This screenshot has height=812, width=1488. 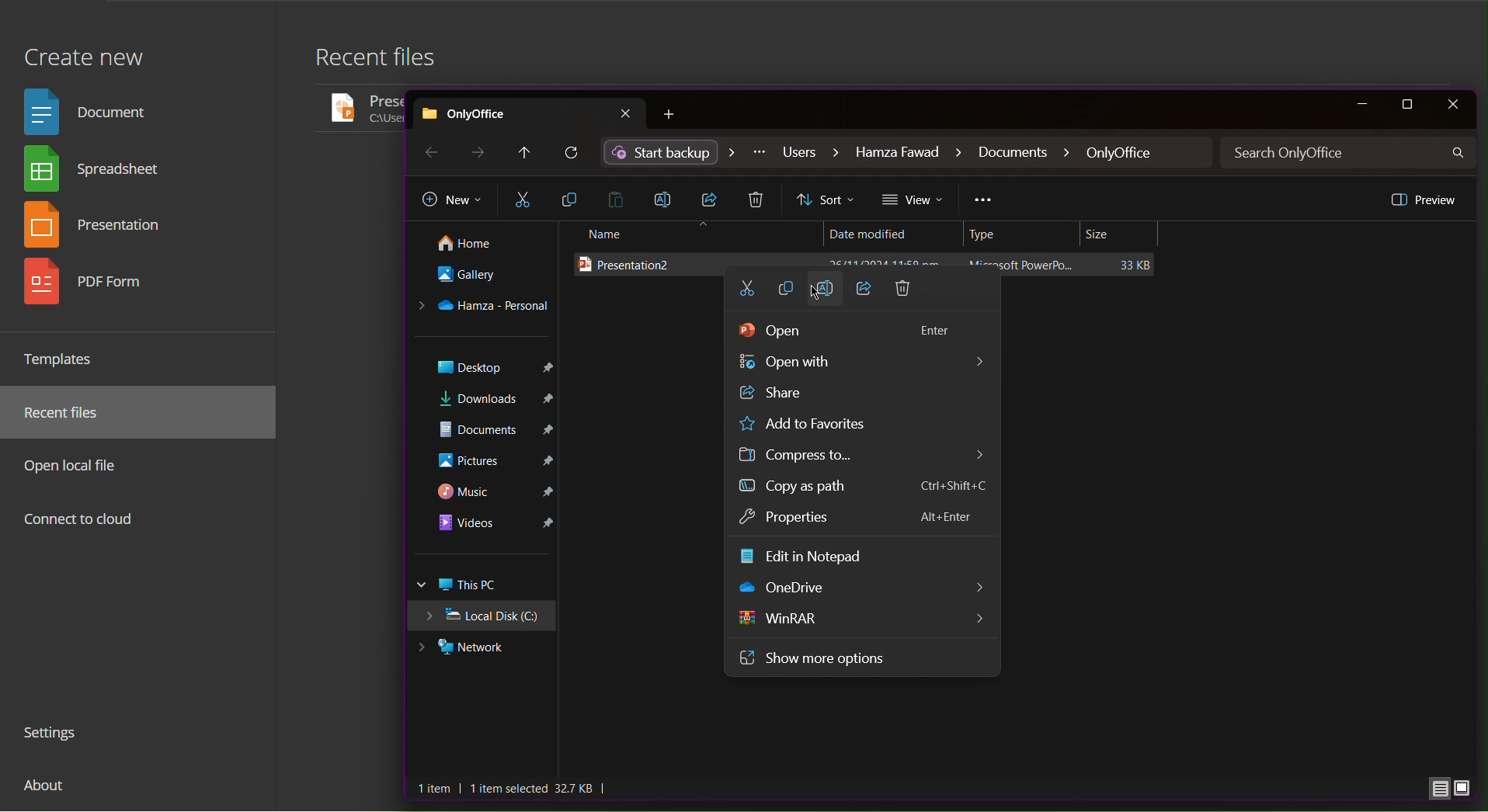 I want to click on Spreadsheet, so click(x=98, y=172).